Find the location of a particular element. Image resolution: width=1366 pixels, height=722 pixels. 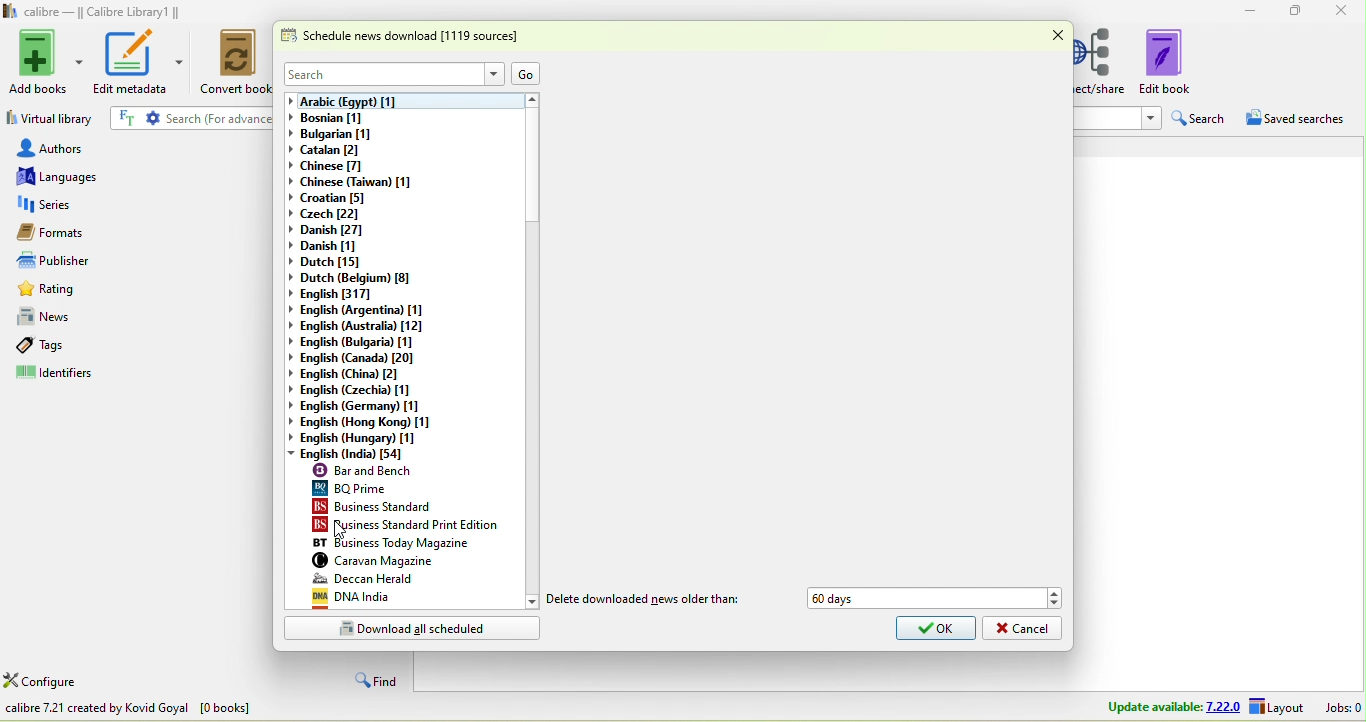

Drop down is located at coordinates (1149, 118).